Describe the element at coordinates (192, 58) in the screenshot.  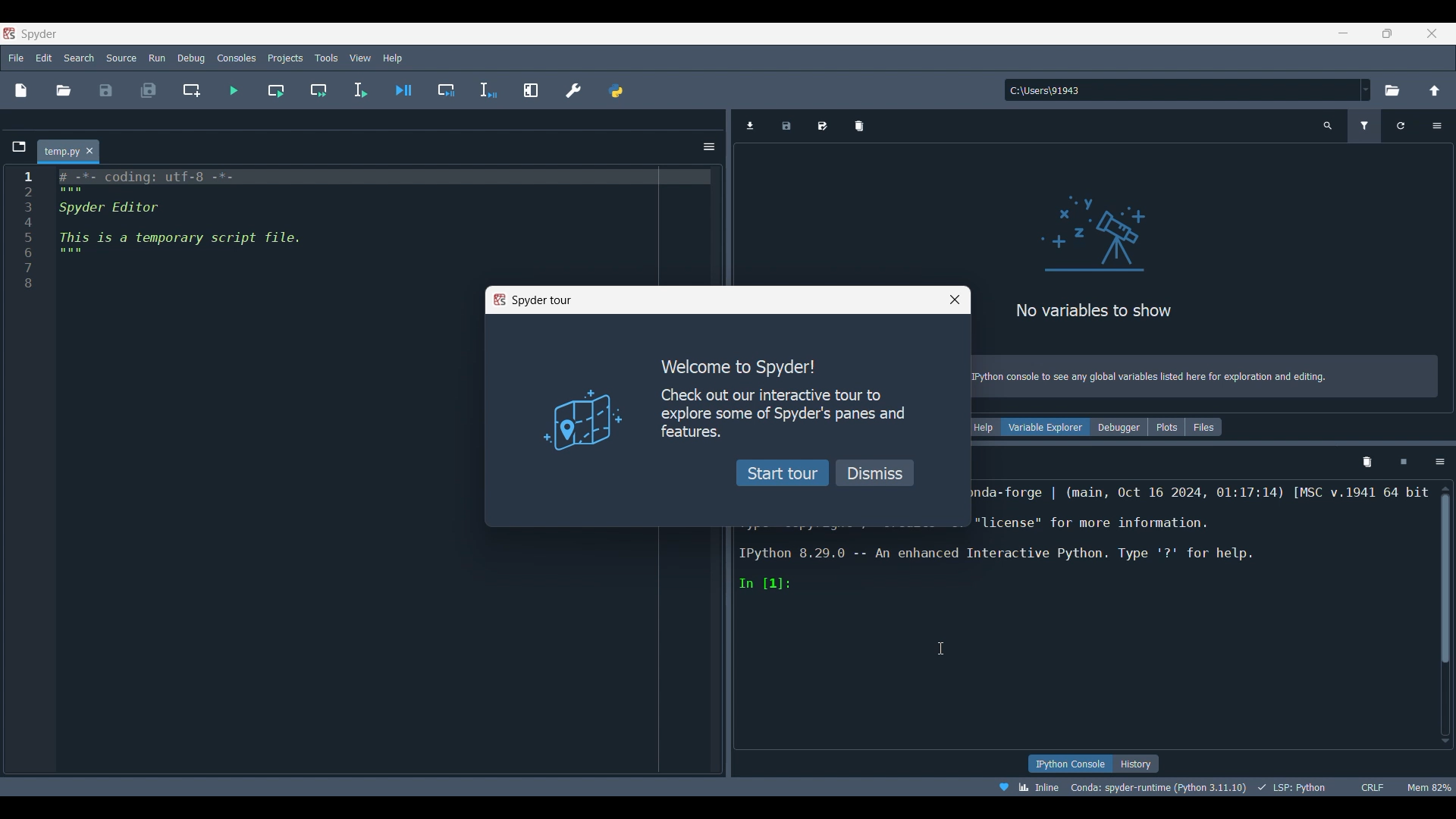
I see `Debug menu` at that location.